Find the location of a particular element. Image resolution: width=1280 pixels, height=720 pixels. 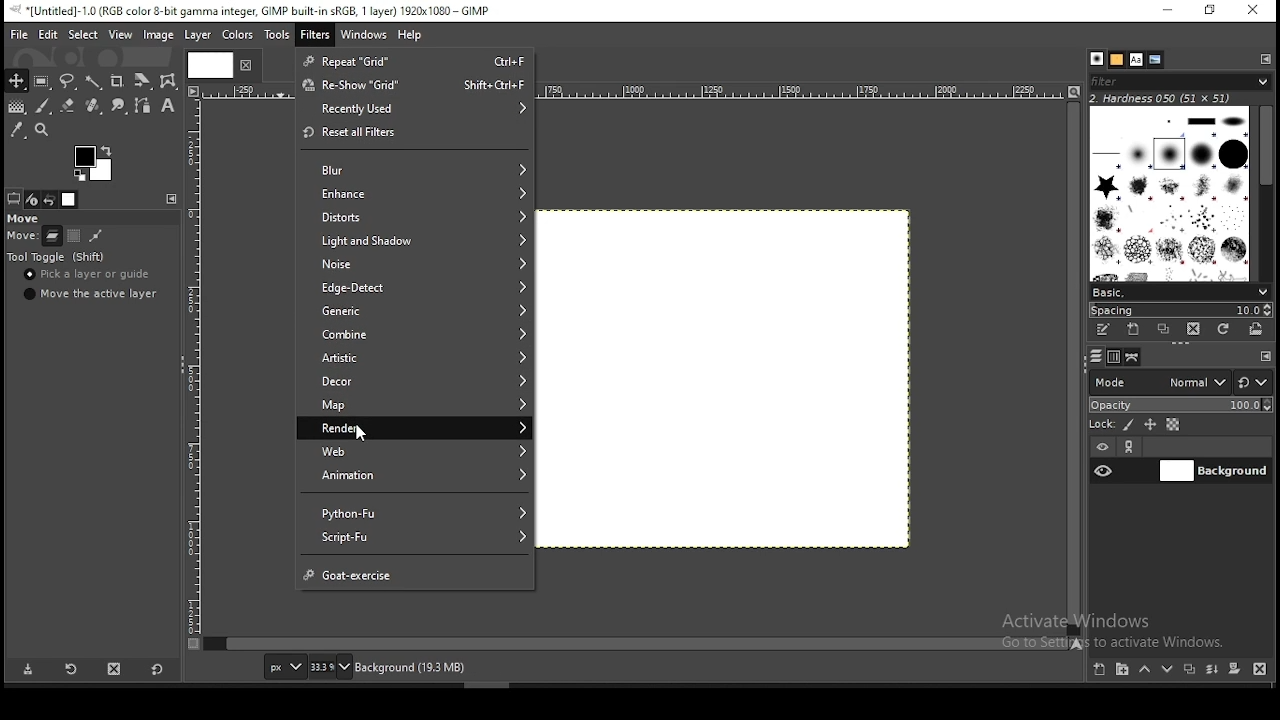

*[untitled]-1.0 (rgb color 8-bit gamma integer, gimp built-in sRGB, 1 layer) 1920x1080 - gimp is located at coordinates (255, 11).